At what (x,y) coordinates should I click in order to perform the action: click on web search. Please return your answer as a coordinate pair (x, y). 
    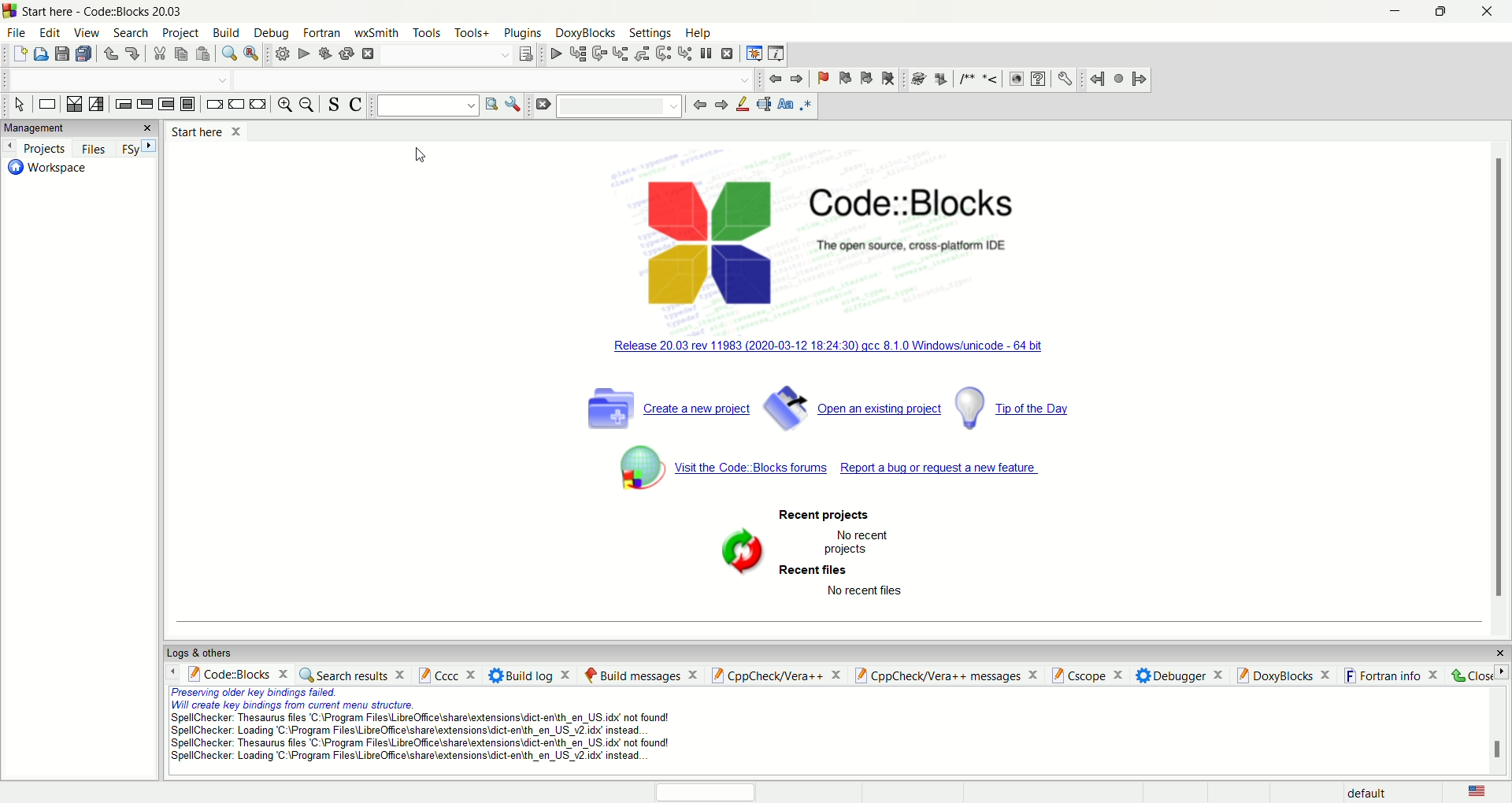
    Looking at the image, I should click on (1017, 81).